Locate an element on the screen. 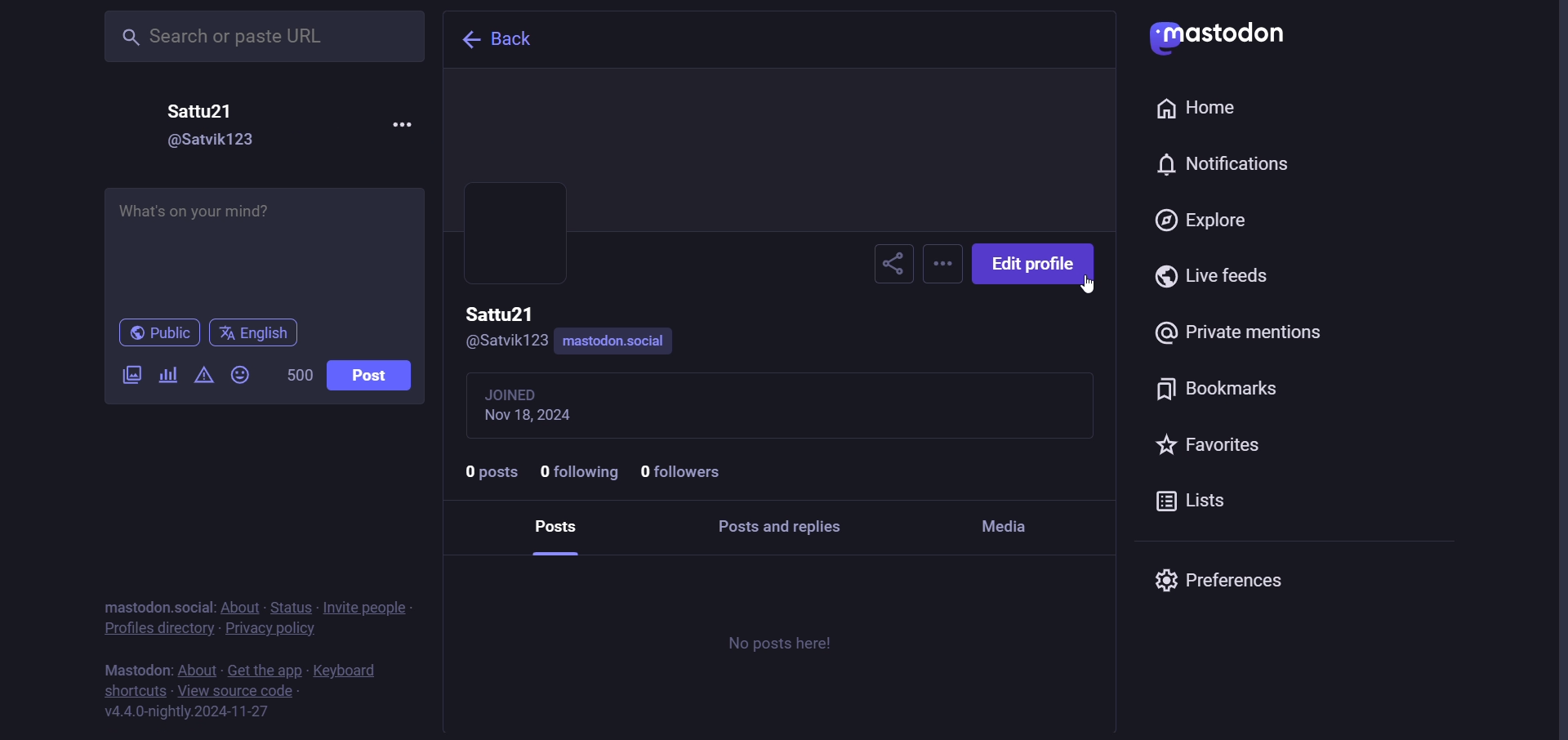 The width and height of the screenshot is (1568, 740). joined is located at coordinates (519, 393).